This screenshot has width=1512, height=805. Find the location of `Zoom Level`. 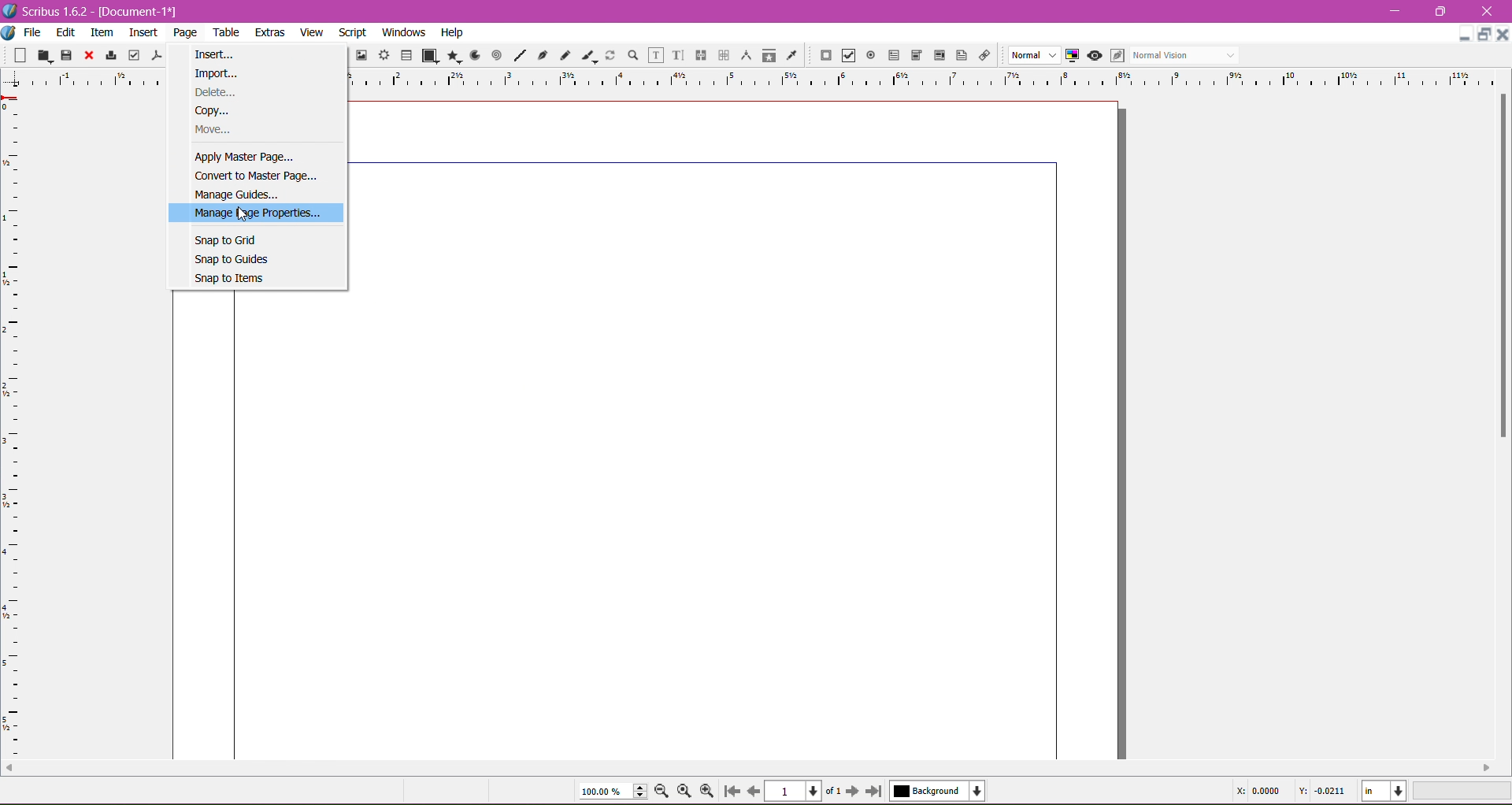

Zoom Level is located at coordinates (1463, 791).